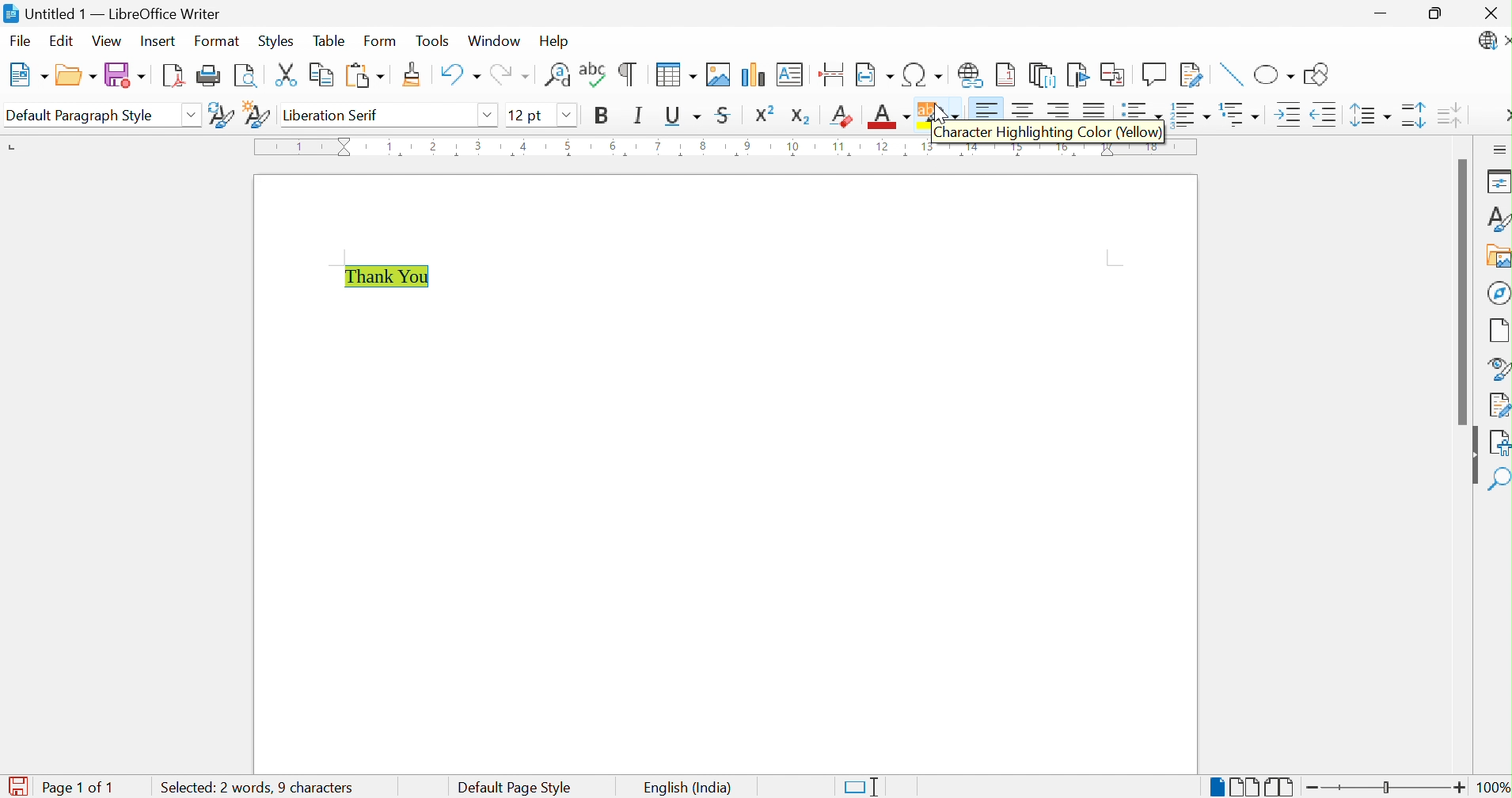 This screenshot has width=1512, height=798. I want to click on Insert Page Break, so click(831, 74).